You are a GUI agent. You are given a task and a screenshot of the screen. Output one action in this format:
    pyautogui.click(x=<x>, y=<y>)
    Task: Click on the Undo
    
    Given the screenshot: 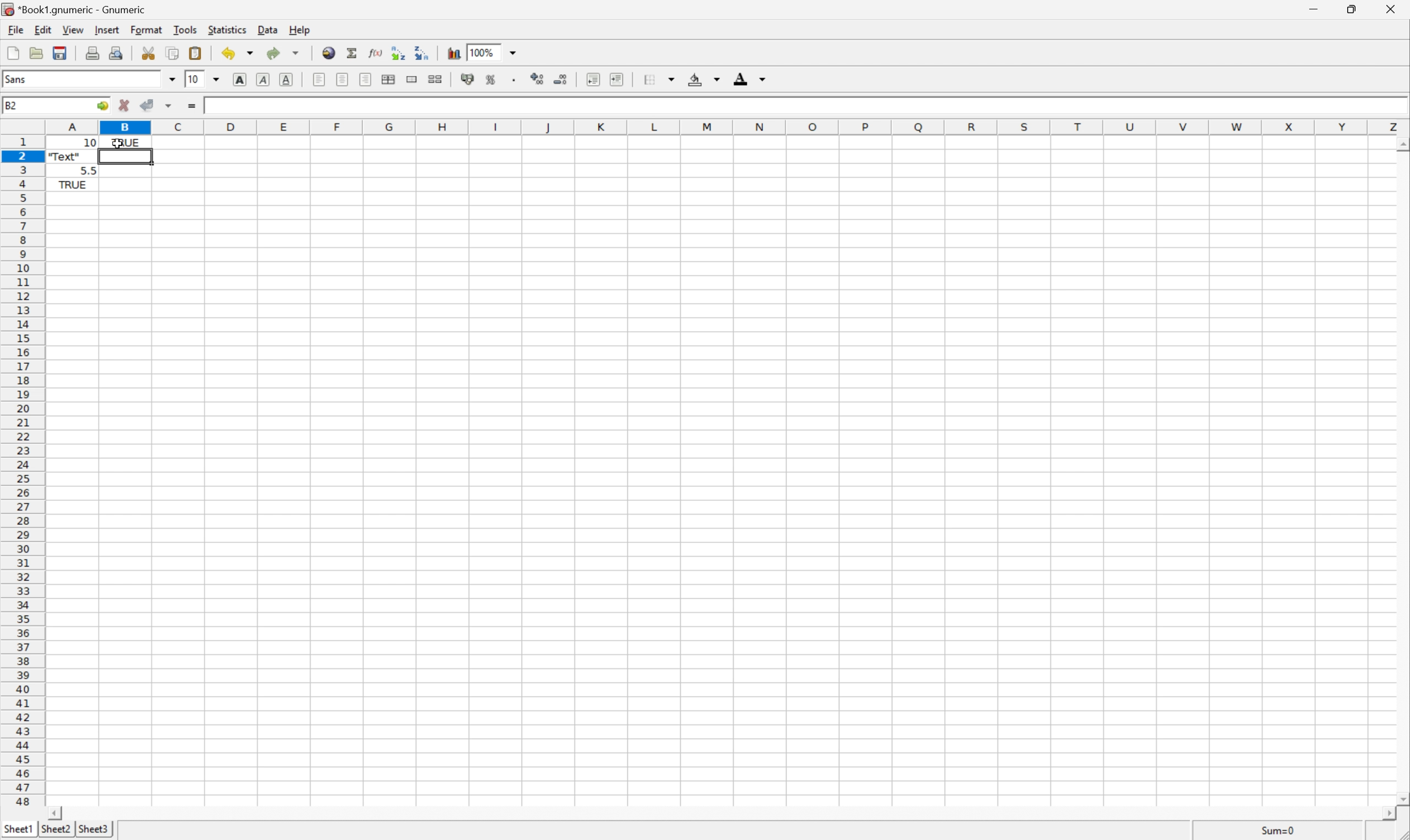 What is the action you would take?
    pyautogui.click(x=238, y=52)
    